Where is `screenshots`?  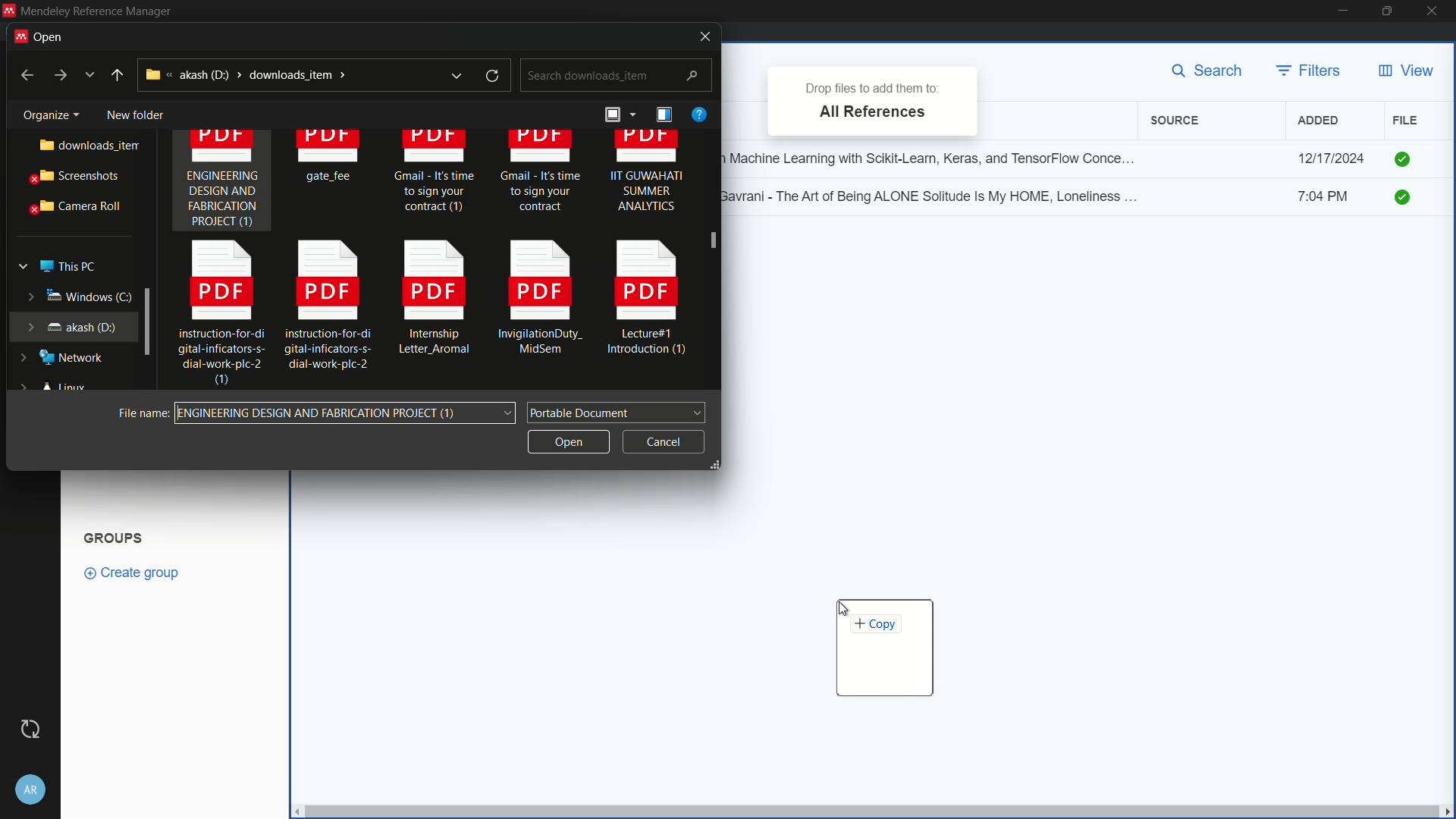 screenshots is located at coordinates (72, 177).